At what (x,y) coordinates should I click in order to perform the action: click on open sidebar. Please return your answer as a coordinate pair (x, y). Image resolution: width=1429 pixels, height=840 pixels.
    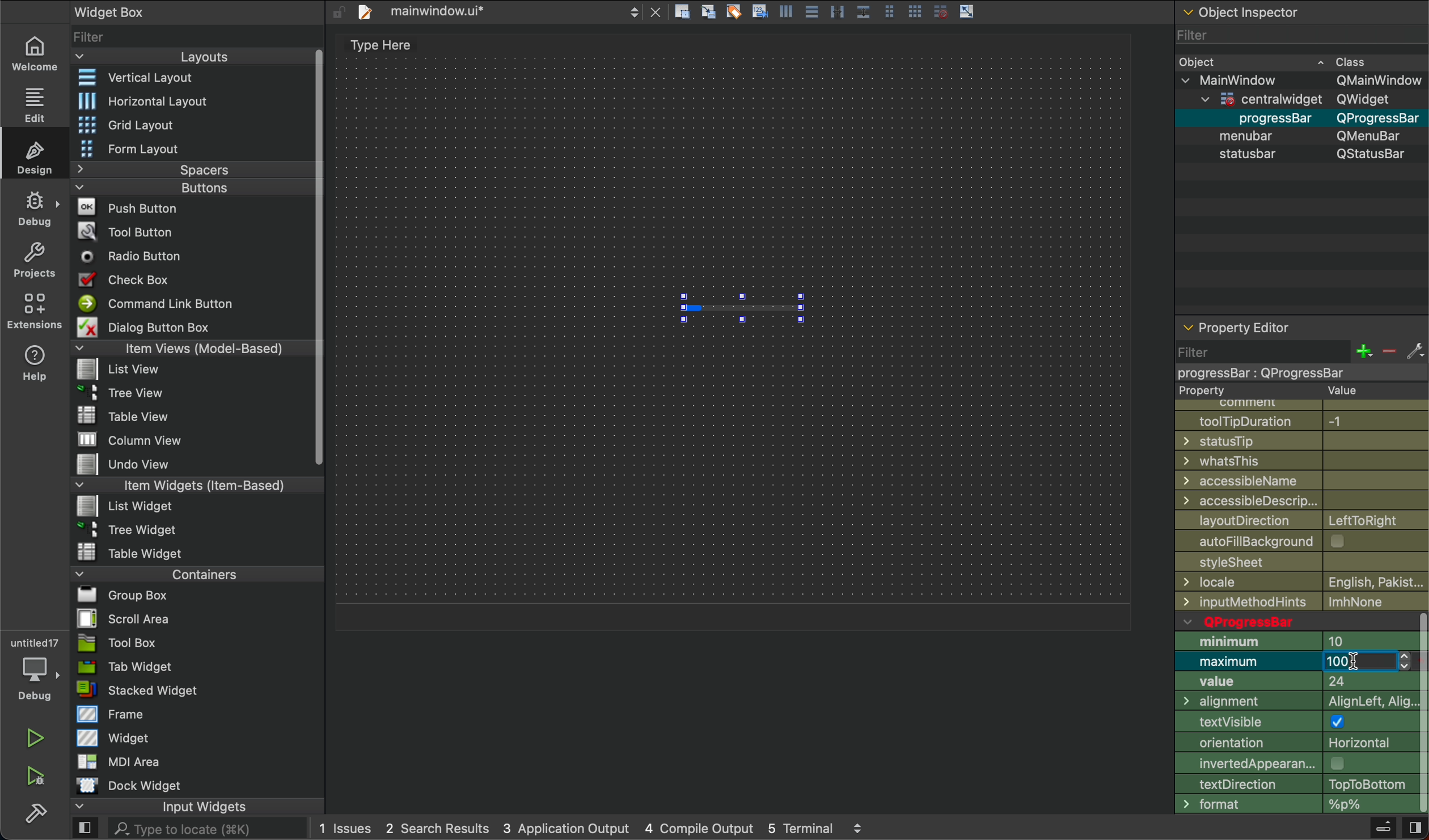
    Looking at the image, I should click on (85, 829).